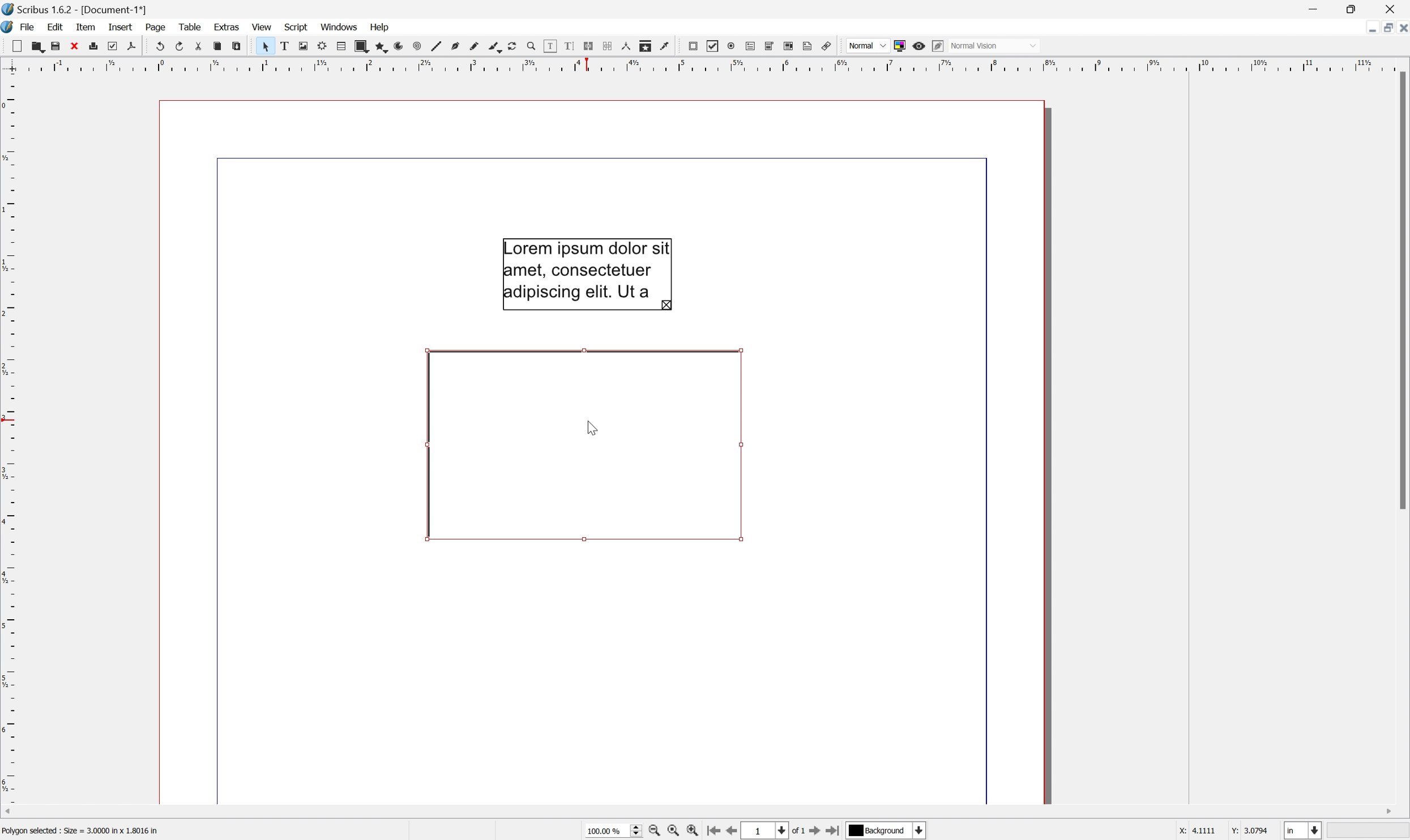 Image resolution: width=1410 pixels, height=840 pixels. What do you see at coordinates (1310, 8) in the screenshot?
I see `Minimize` at bounding box center [1310, 8].